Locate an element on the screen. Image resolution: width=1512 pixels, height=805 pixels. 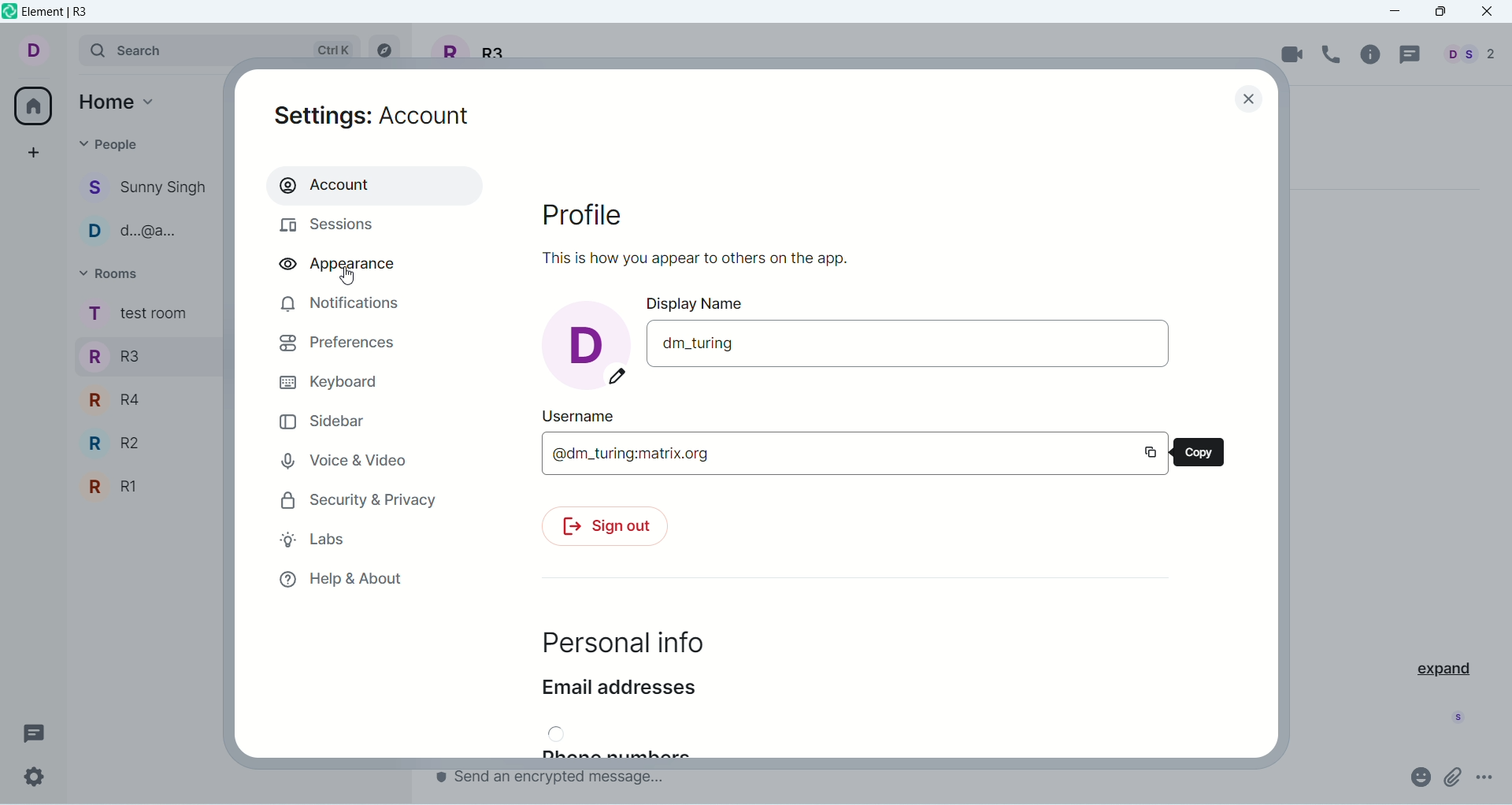
rooms is located at coordinates (135, 315).